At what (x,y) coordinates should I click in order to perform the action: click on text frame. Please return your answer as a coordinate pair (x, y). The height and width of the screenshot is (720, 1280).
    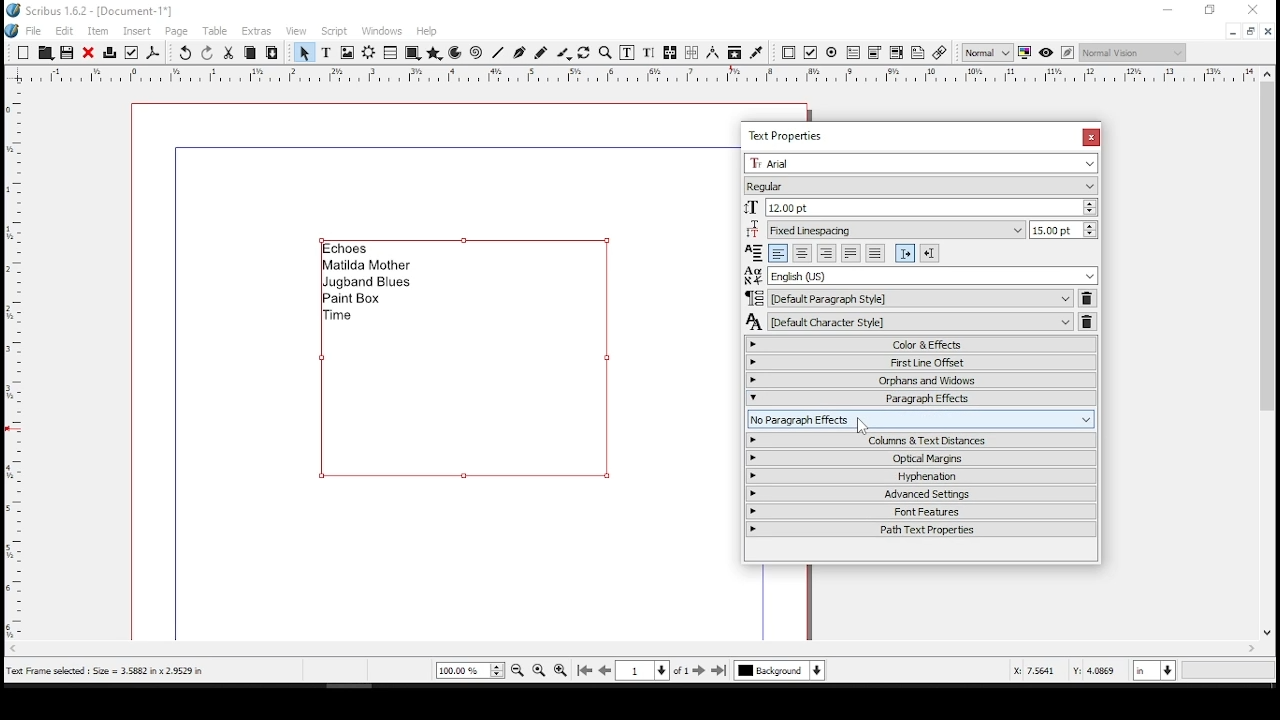
    Looking at the image, I should click on (326, 53).